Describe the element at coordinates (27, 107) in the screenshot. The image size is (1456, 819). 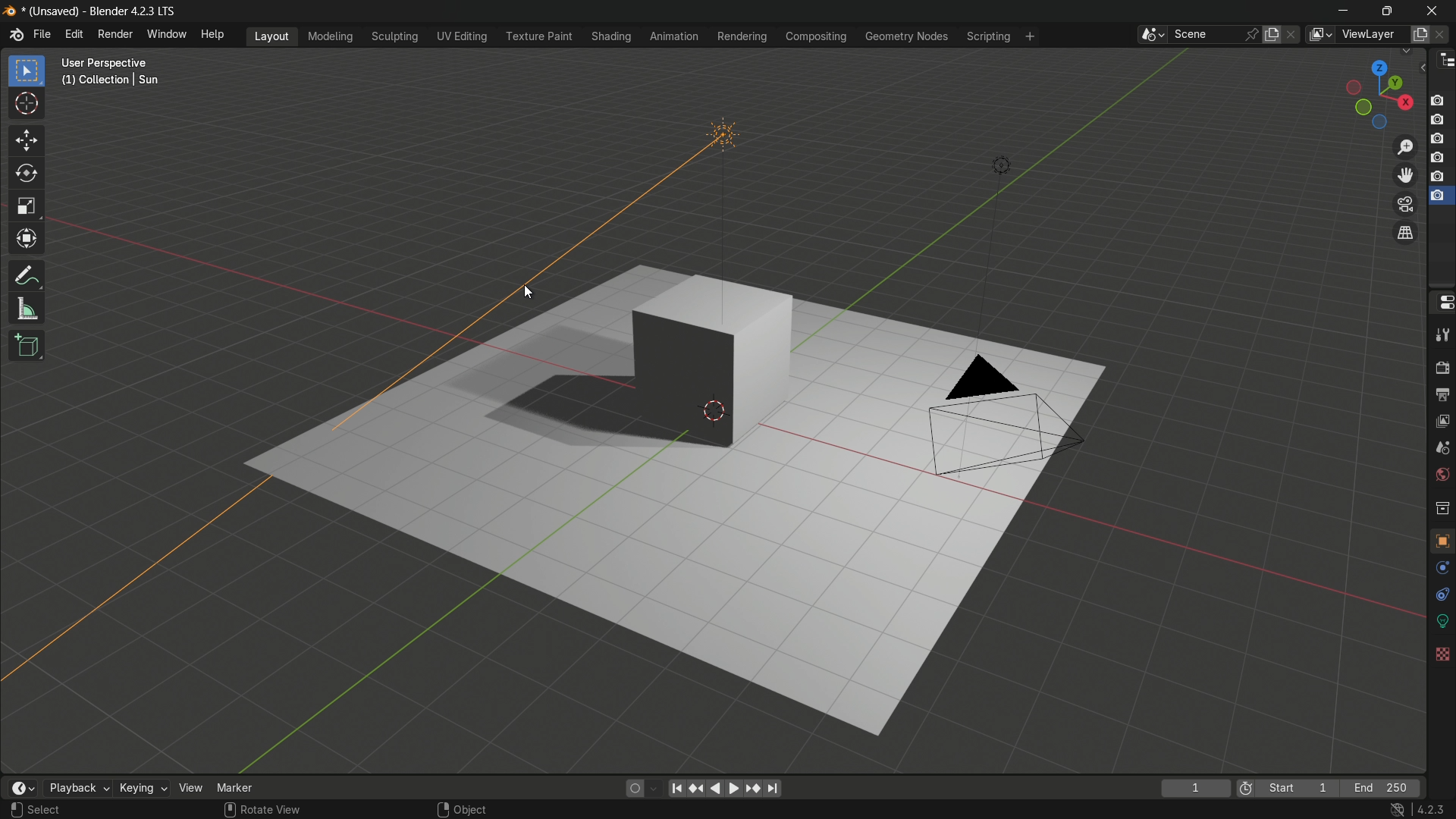
I see `cursor` at that location.